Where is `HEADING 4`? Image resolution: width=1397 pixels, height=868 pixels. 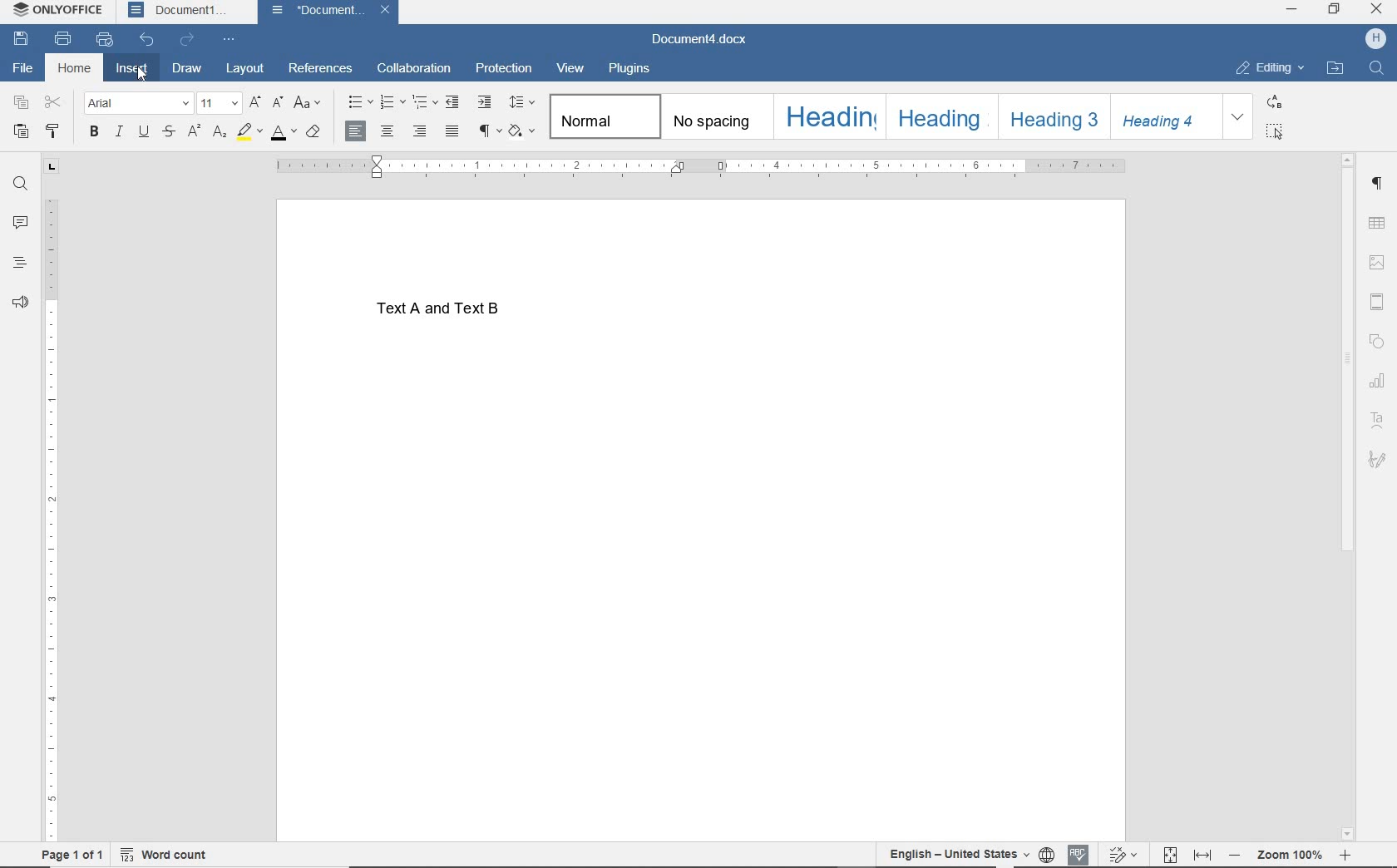 HEADING 4 is located at coordinates (1167, 116).